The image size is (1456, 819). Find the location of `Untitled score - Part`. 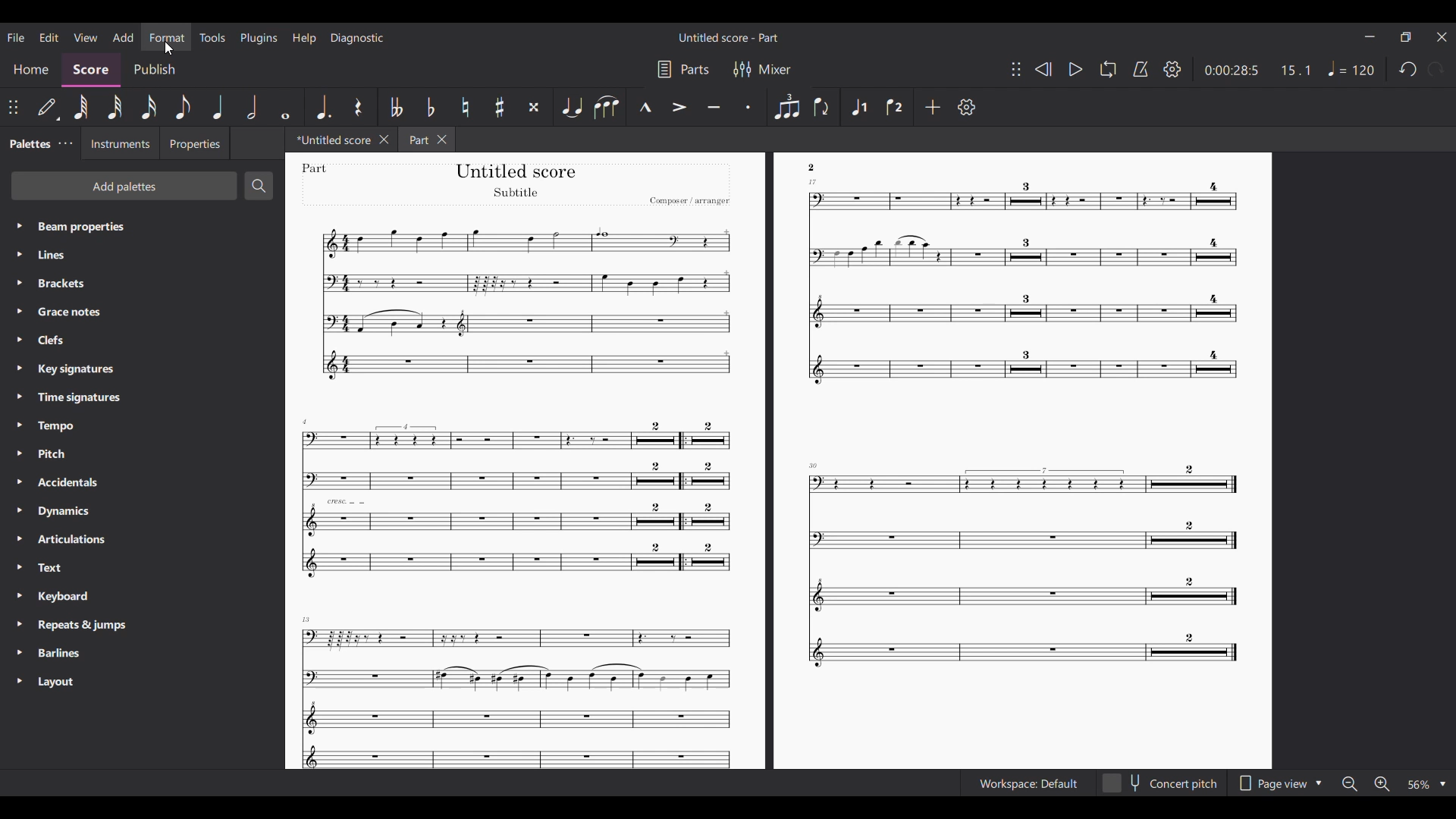

Untitled score - Part is located at coordinates (730, 37).